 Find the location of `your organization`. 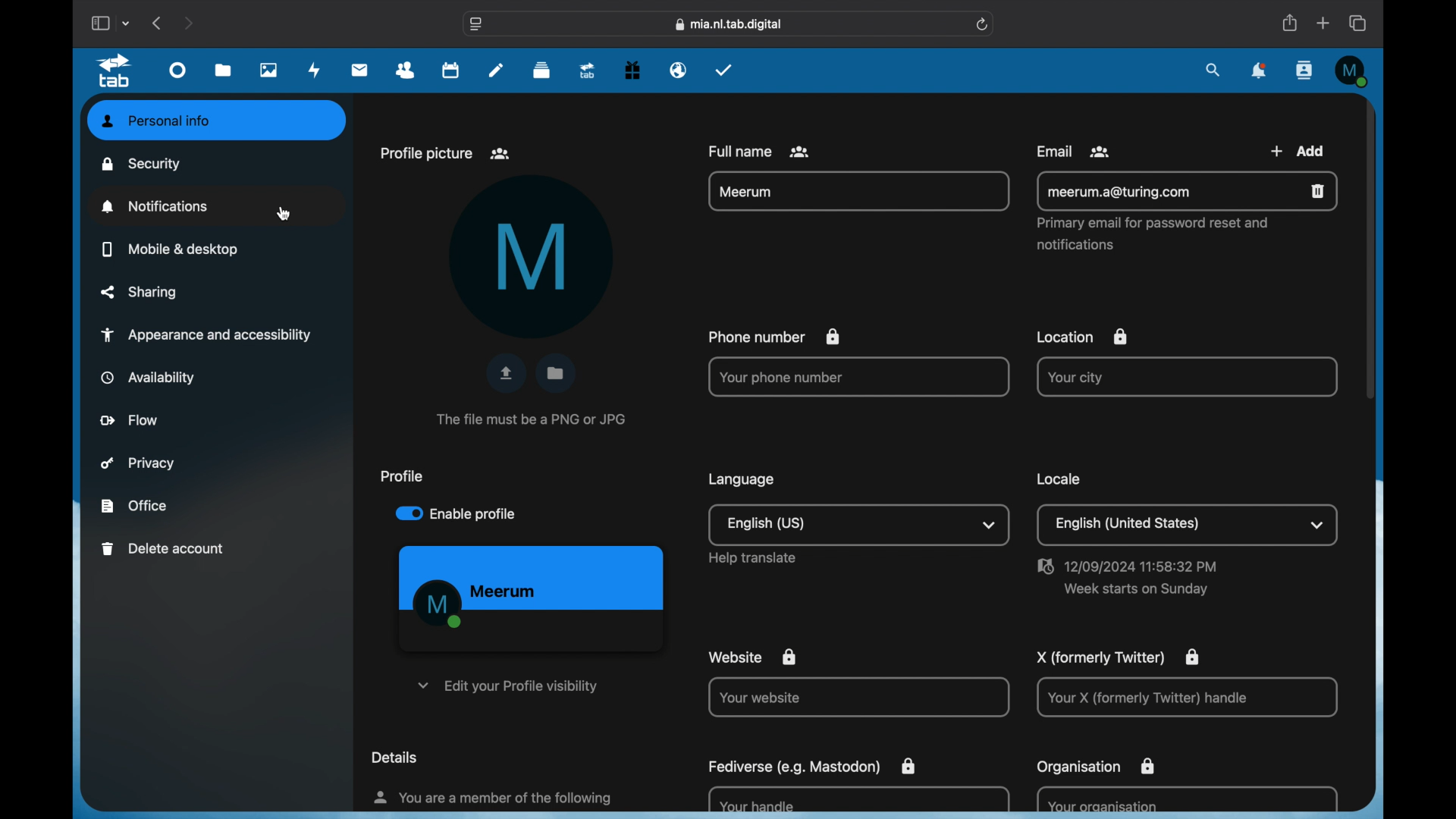

your organization is located at coordinates (1102, 805).